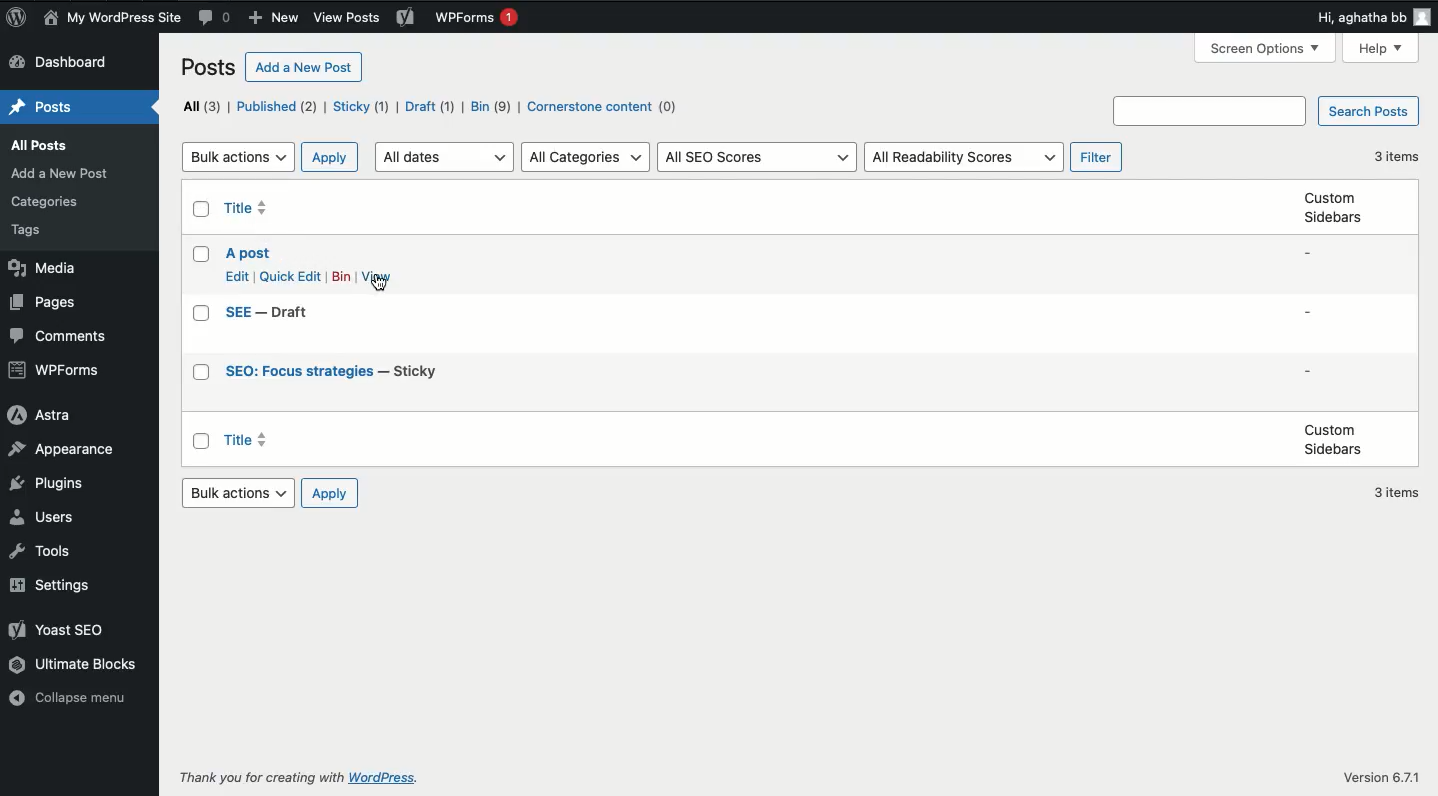 The width and height of the screenshot is (1438, 796). I want to click on Title, so click(254, 230).